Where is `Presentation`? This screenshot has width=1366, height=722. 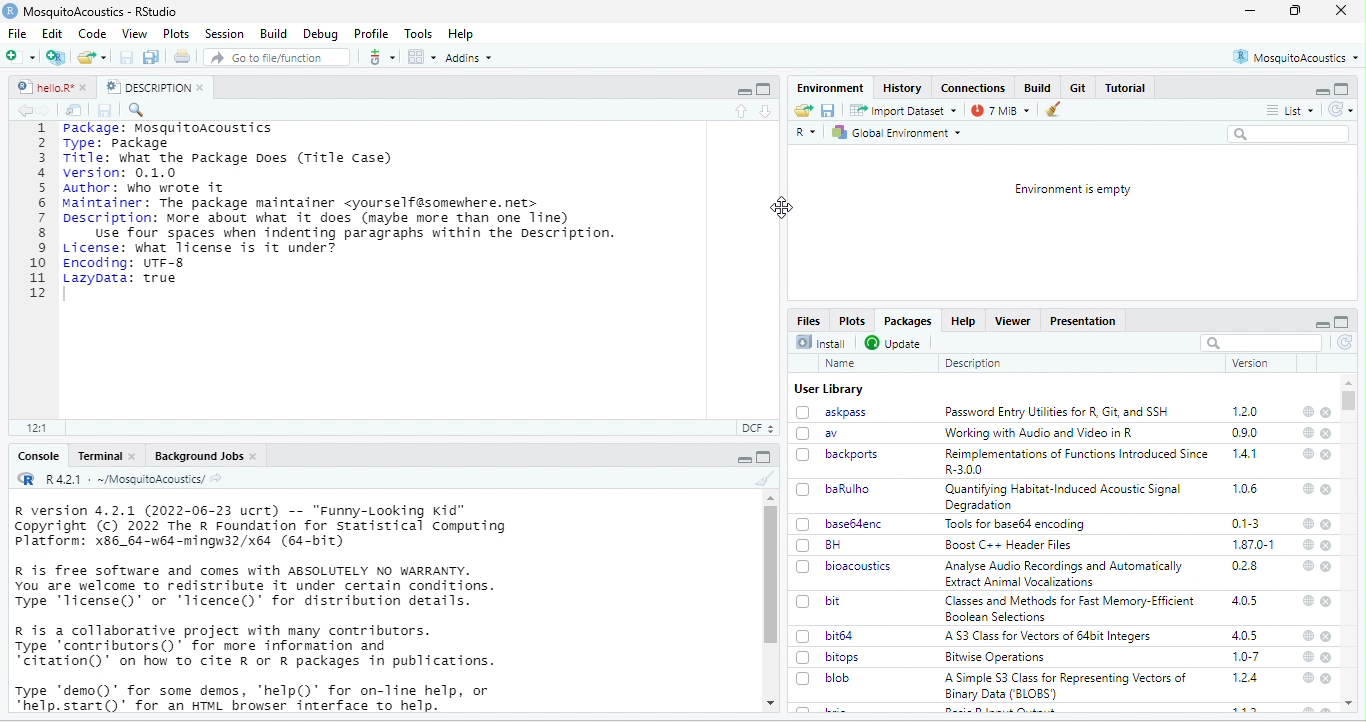 Presentation is located at coordinates (1084, 321).